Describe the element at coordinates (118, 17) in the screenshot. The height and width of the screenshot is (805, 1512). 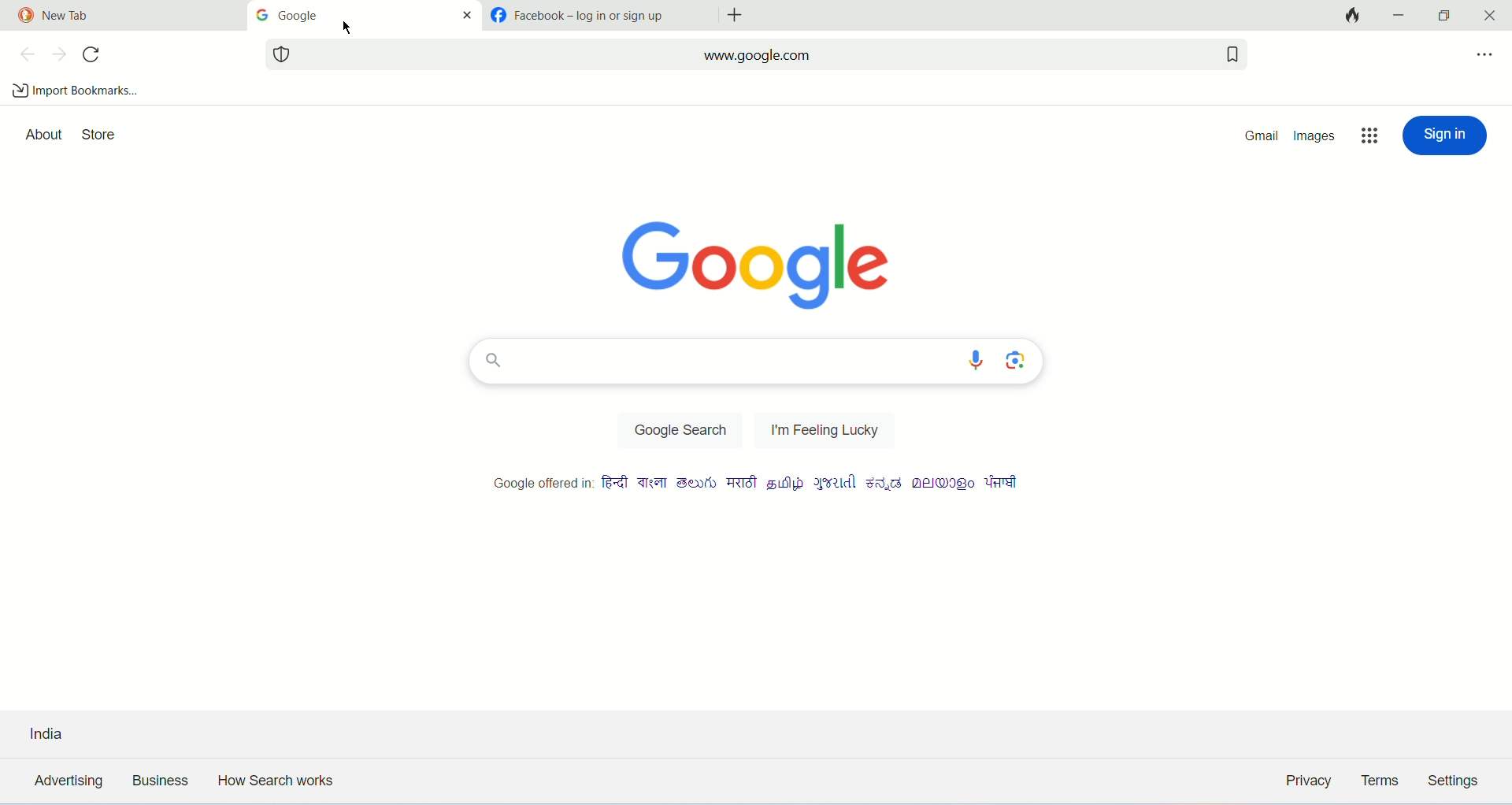
I see `tab1` at that location.